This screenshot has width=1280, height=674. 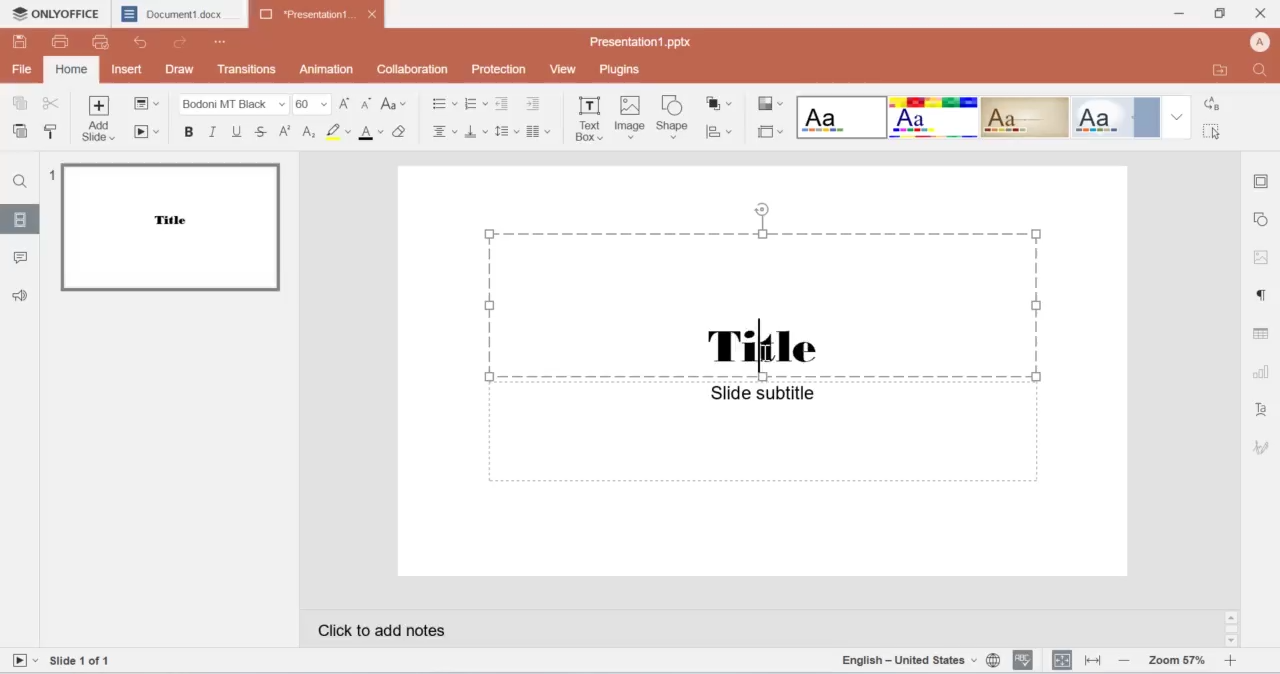 I want to click on video button, so click(x=24, y=661).